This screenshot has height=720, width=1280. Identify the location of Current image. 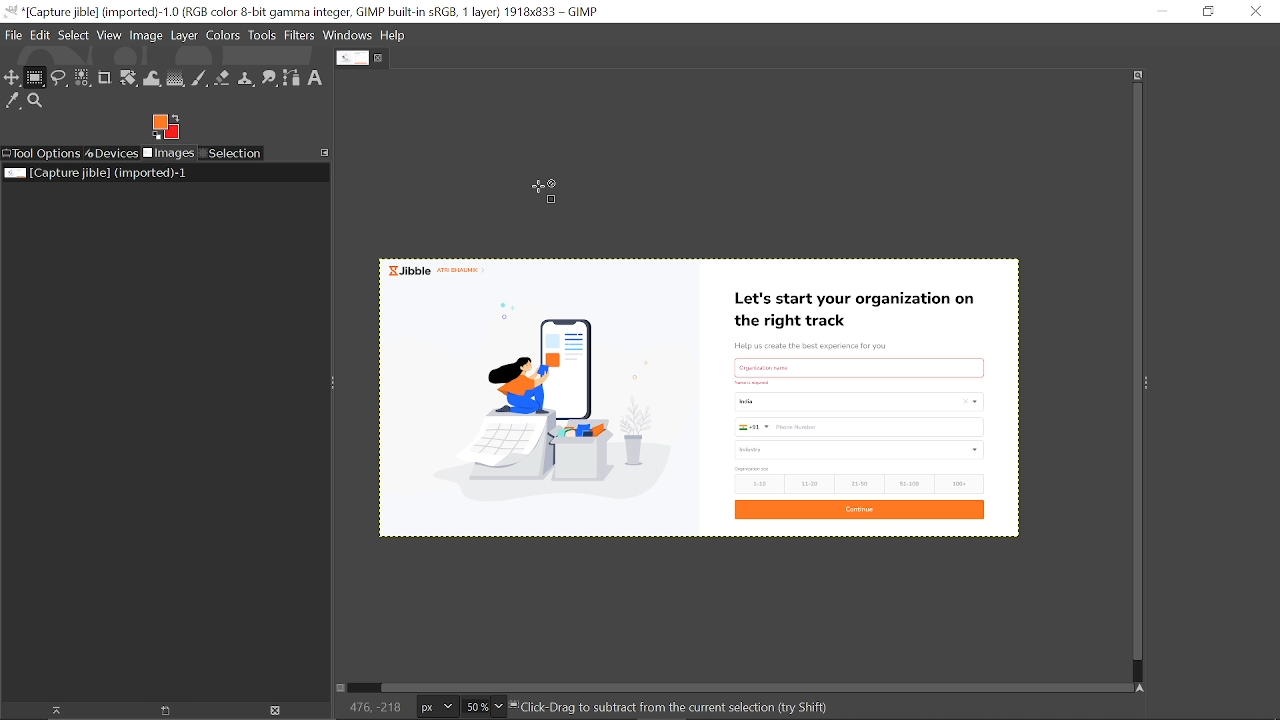
(94, 173).